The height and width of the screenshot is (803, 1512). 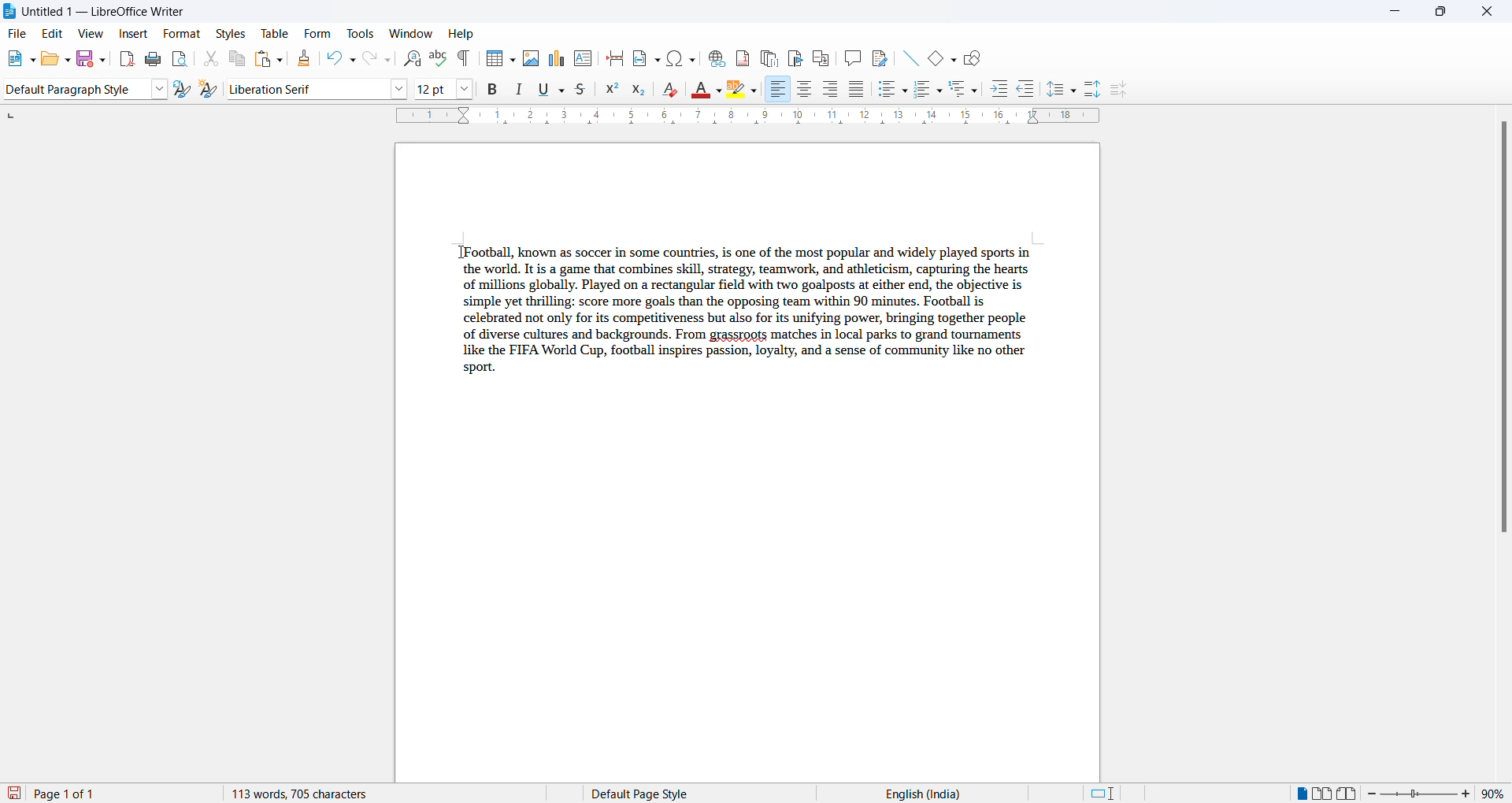 What do you see at coordinates (744, 117) in the screenshot?
I see `scaling` at bounding box center [744, 117].